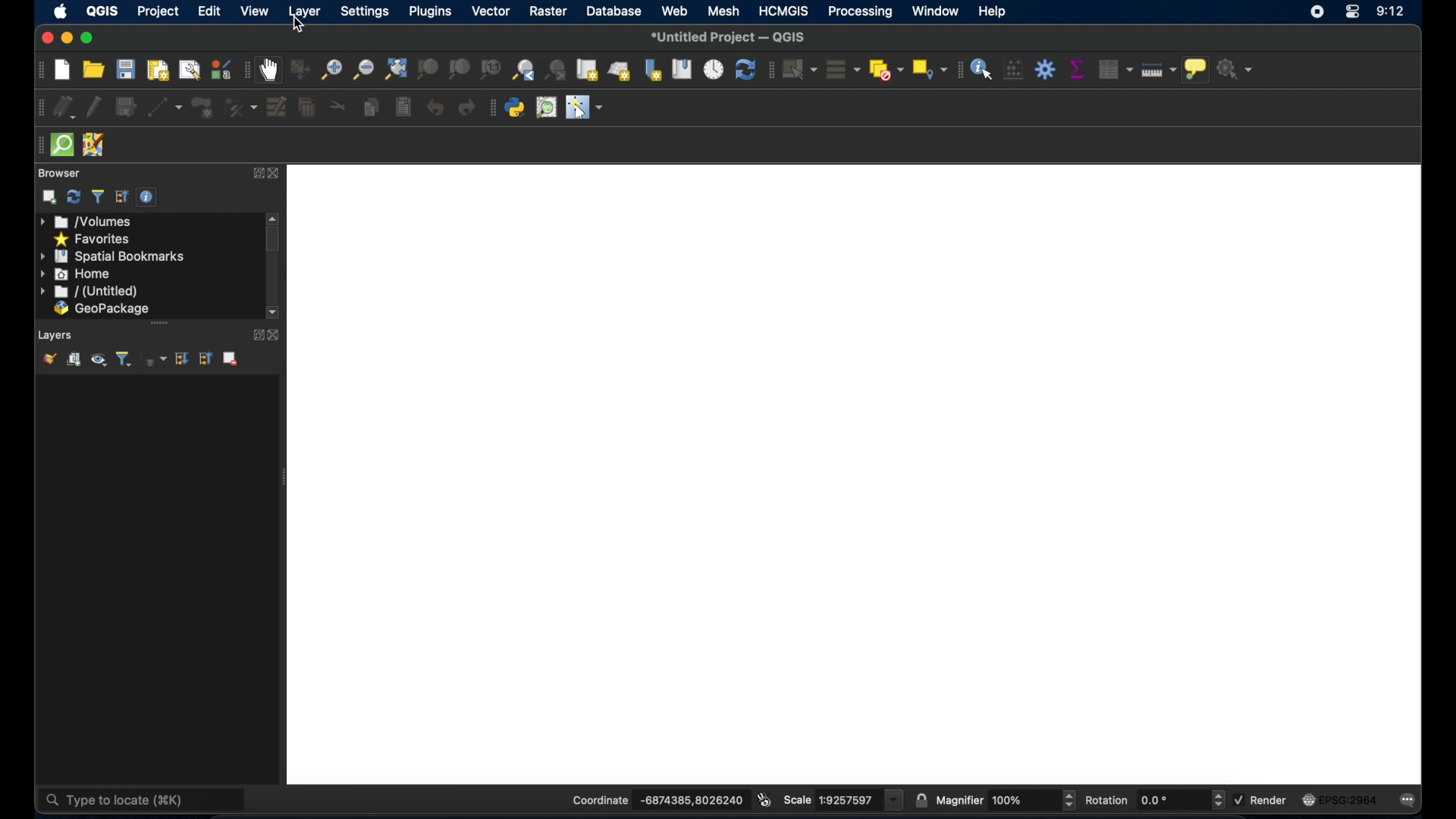  What do you see at coordinates (139, 799) in the screenshot?
I see `type to locate` at bounding box center [139, 799].